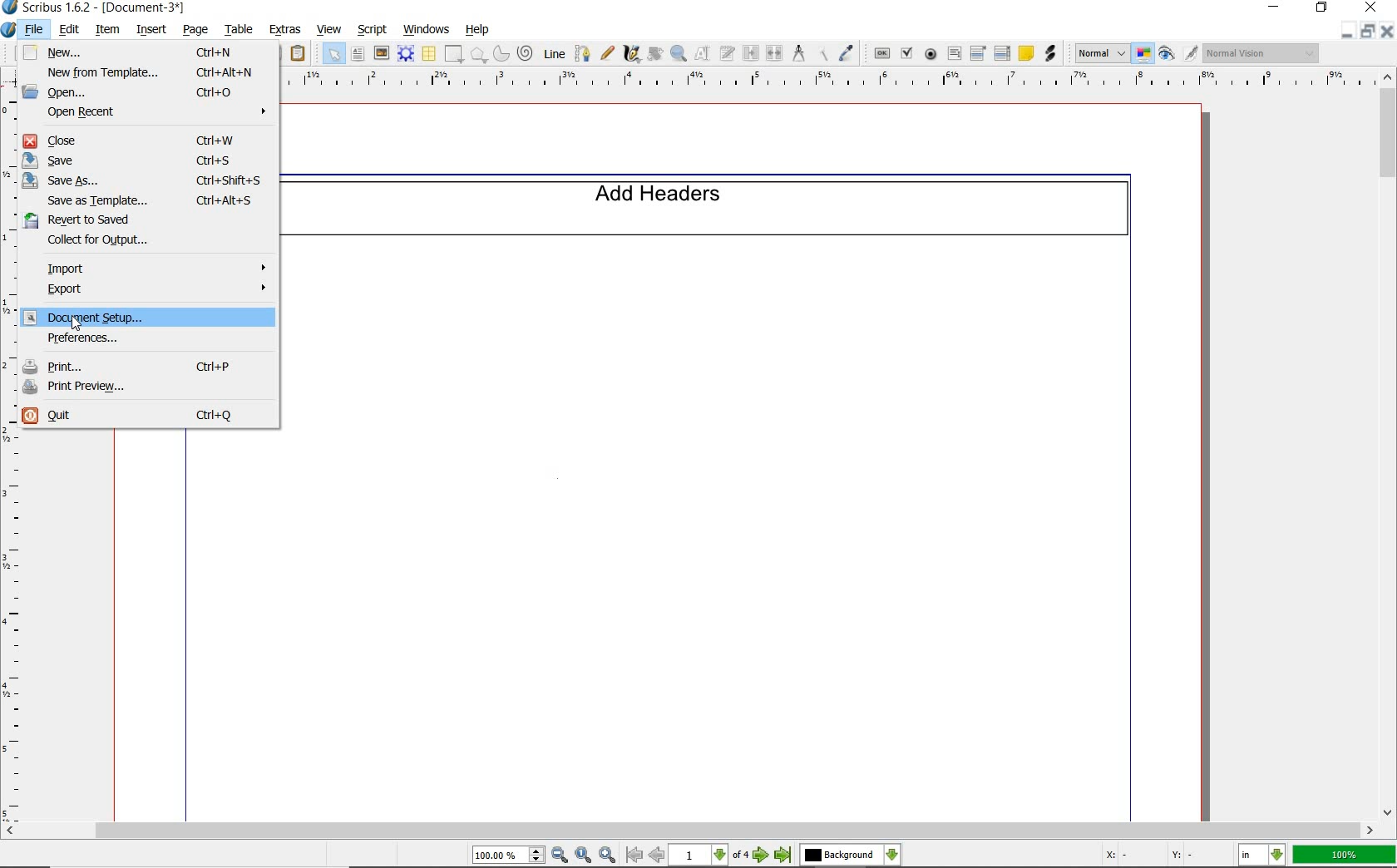  What do you see at coordinates (76, 324) in the screenshot?
I see `Cursor` at bounding box center [76, 324].